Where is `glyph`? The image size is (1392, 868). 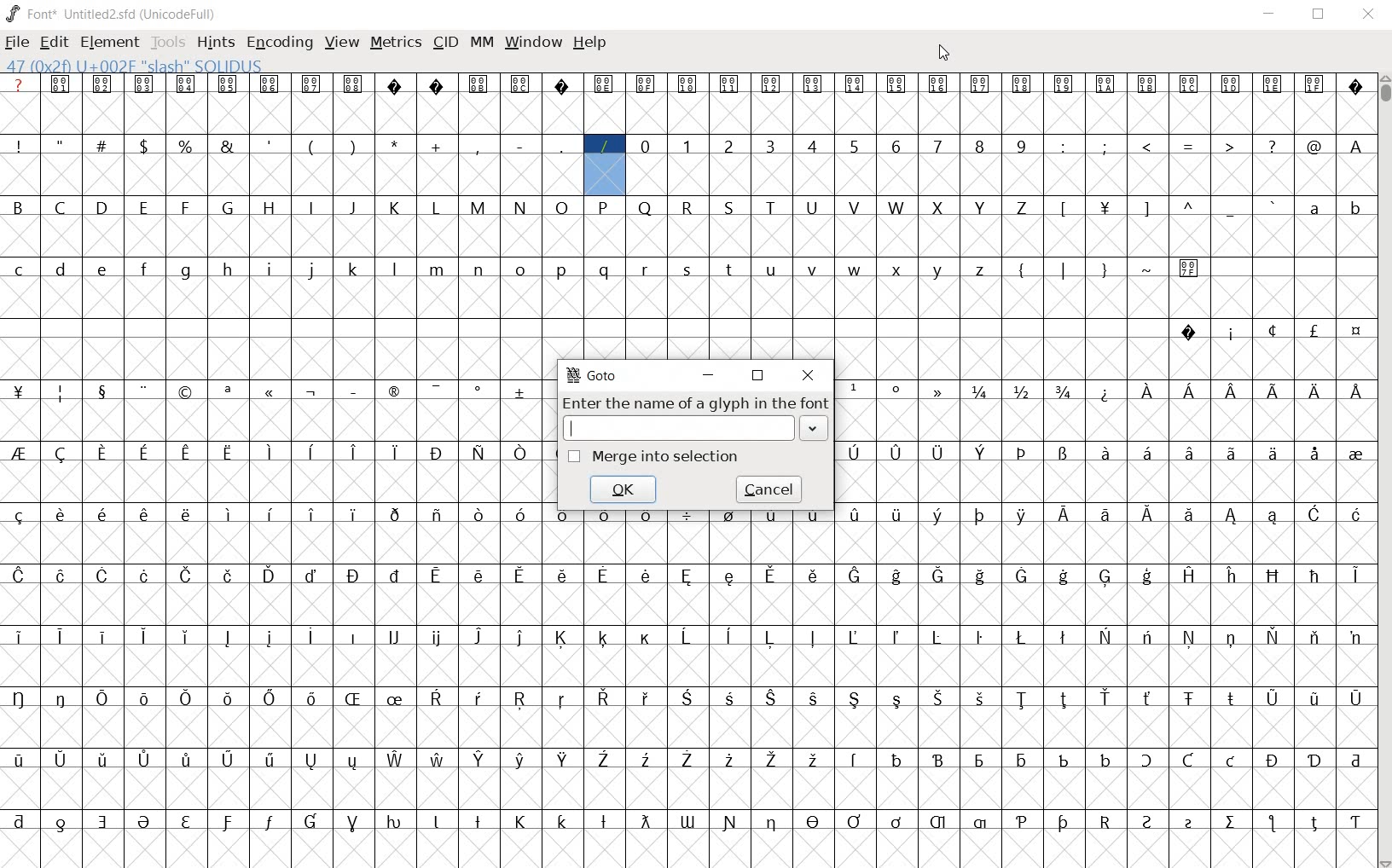
glyph is located at coordinates (391, 391).